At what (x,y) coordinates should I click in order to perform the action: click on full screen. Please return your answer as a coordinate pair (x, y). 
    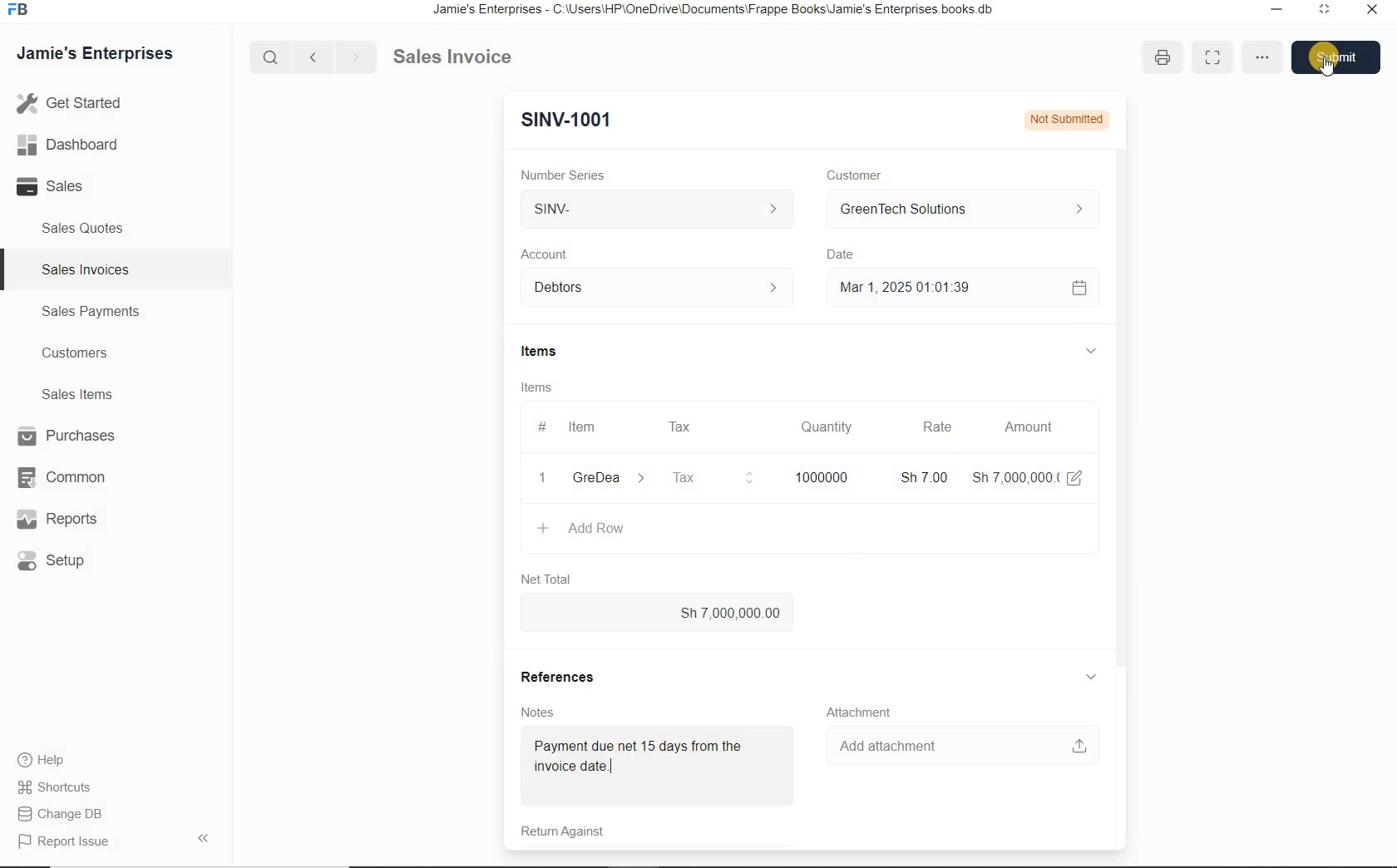
    Looking at the image, I should click on (1212, 57).